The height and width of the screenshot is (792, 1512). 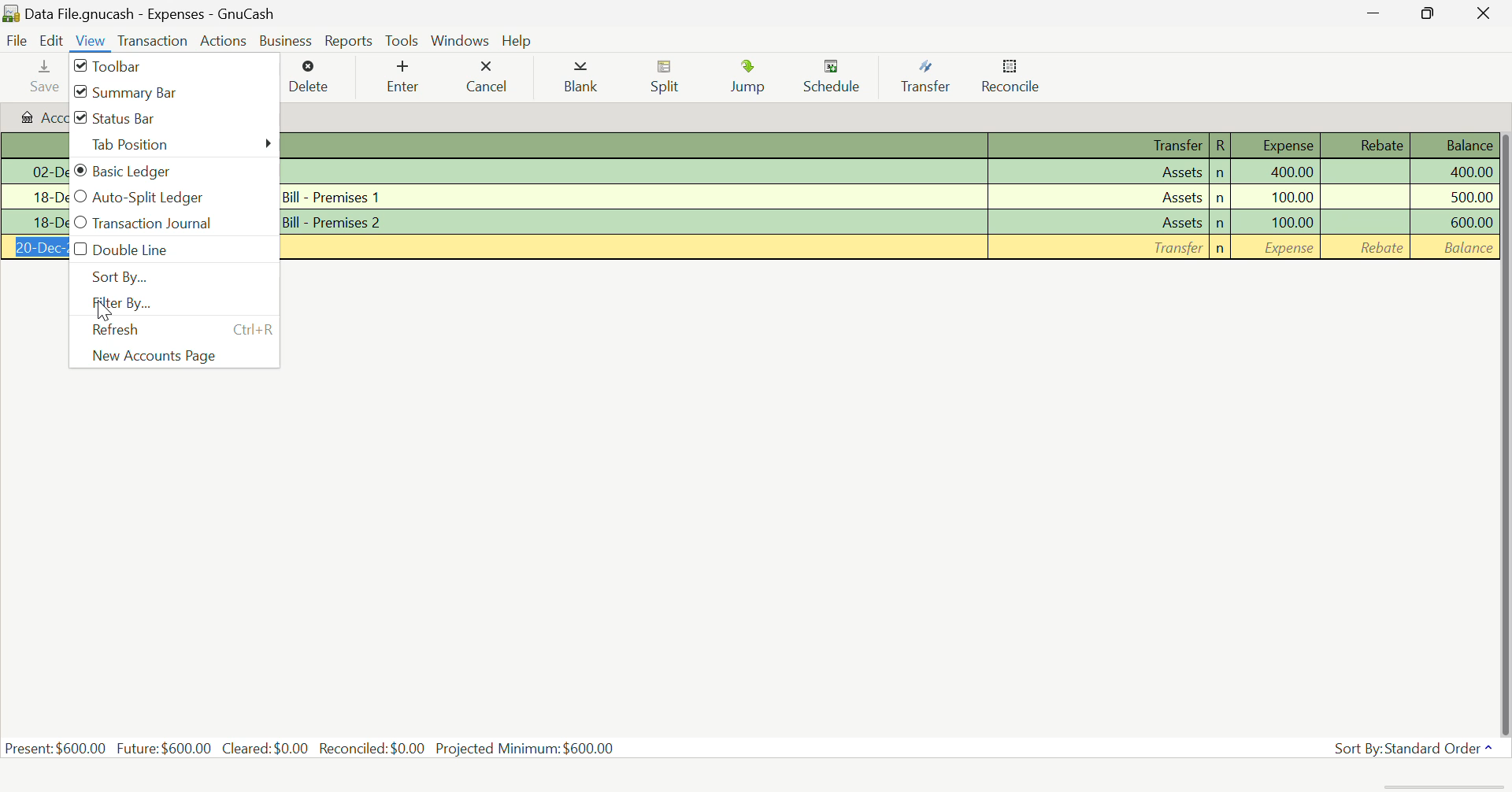 What do you see at coordinates (171, 303) in the screenshot?
I see `Filter By` at bounding box center [171, 303].